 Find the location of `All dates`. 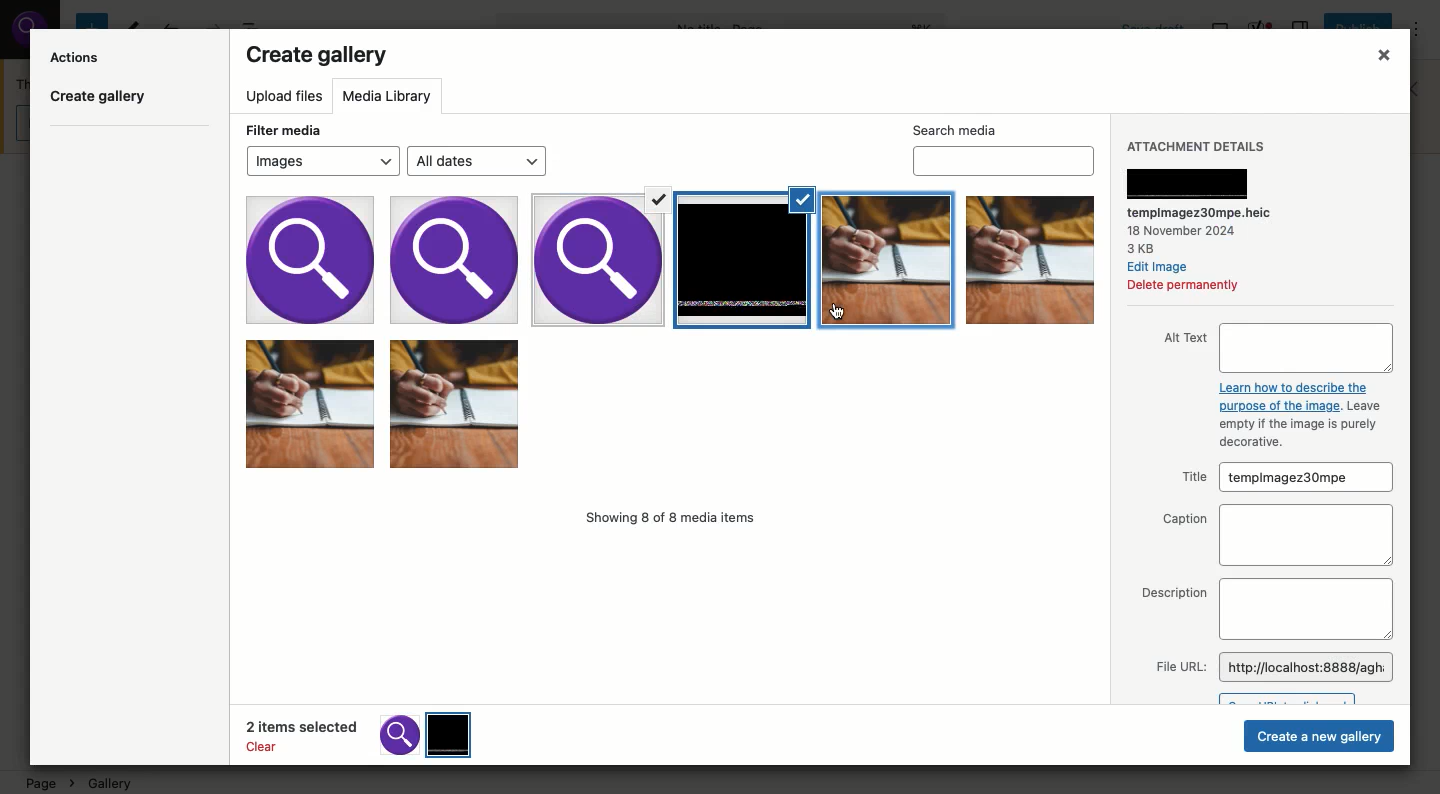

All dates is located at coordinates (479, 162).